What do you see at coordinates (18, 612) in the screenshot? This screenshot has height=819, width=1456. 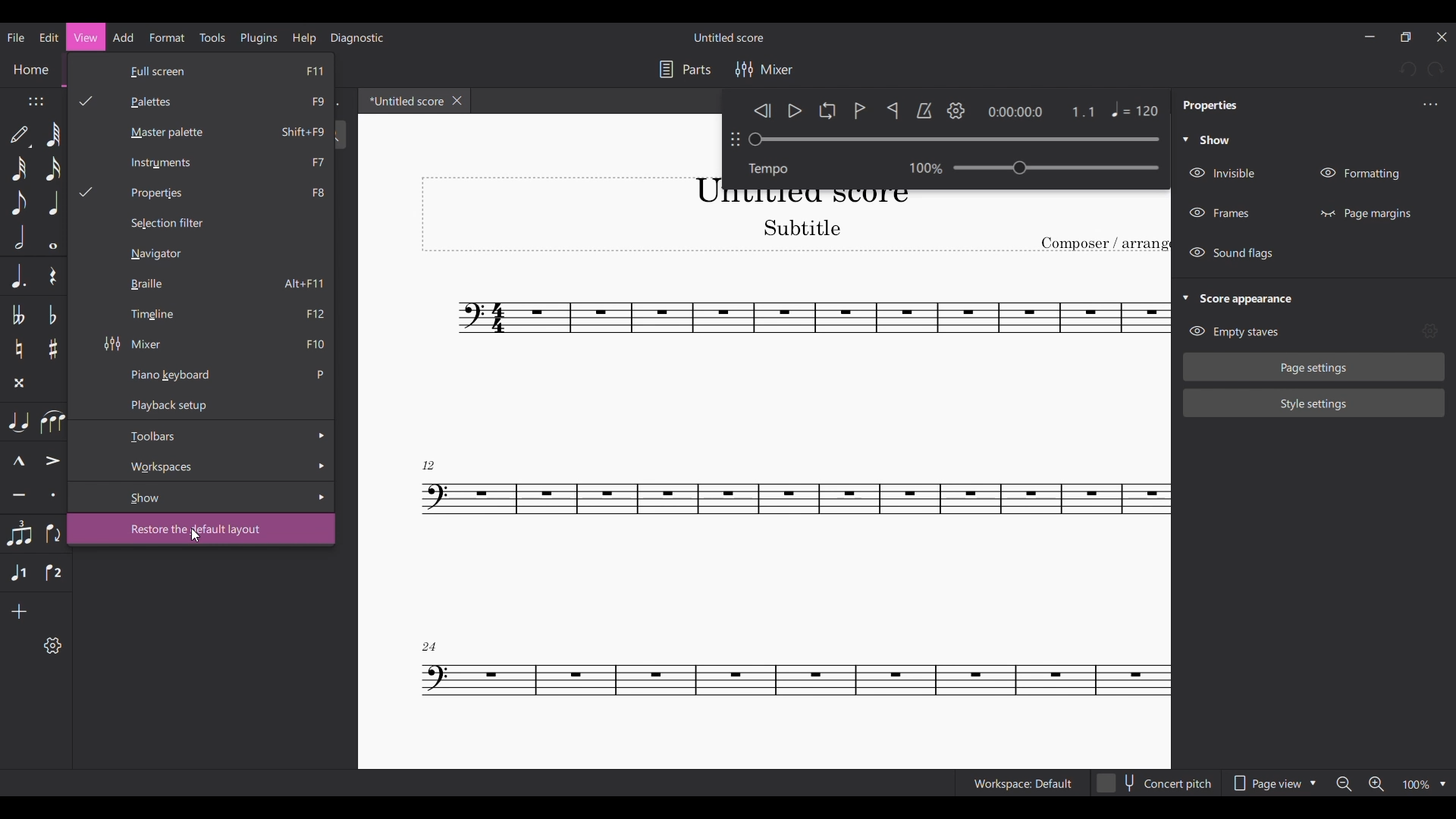 I see `Add` at bounding box center [18, 612].